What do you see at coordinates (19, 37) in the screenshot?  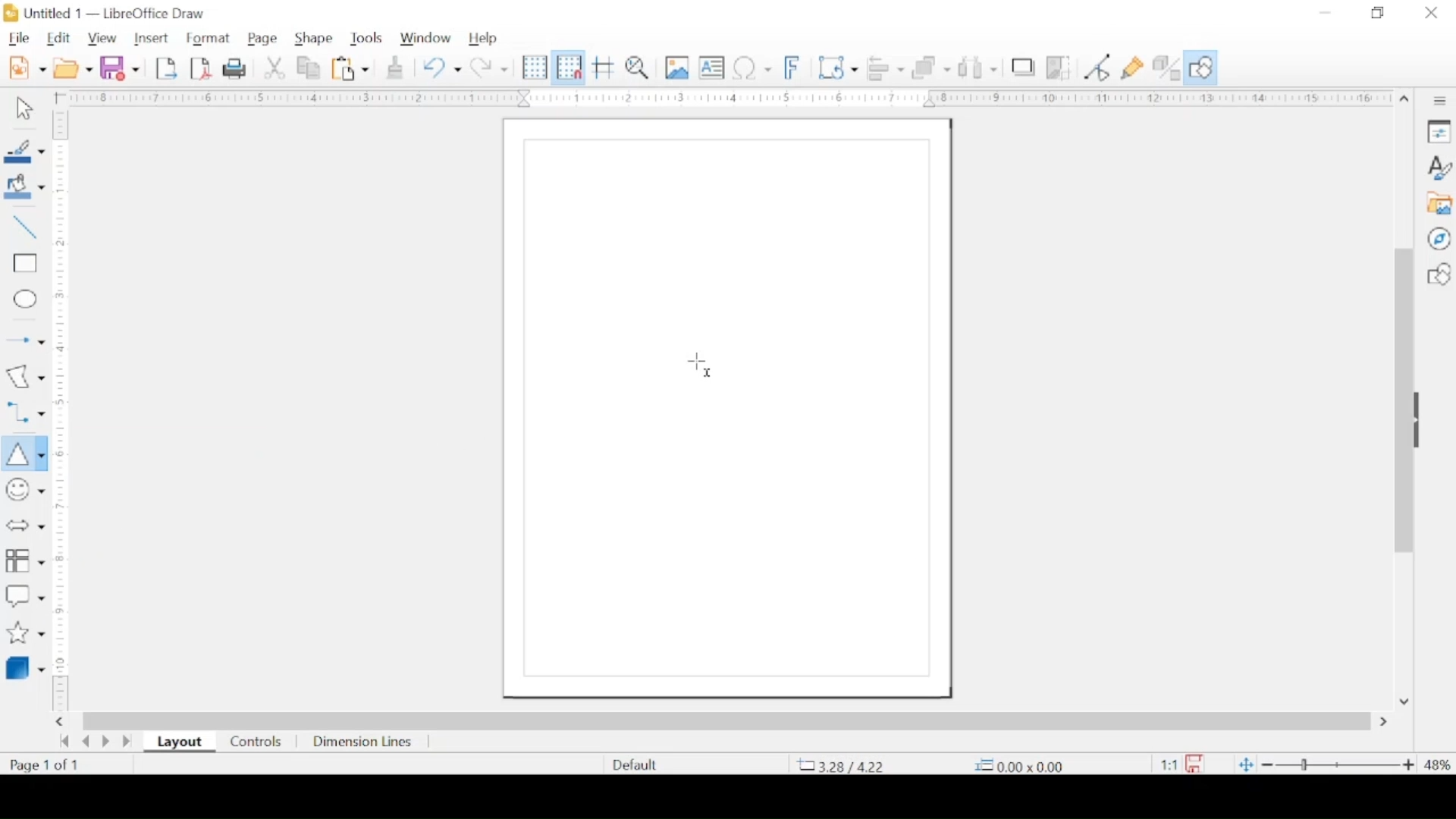 I see `file` at bounding box center [19, 37].